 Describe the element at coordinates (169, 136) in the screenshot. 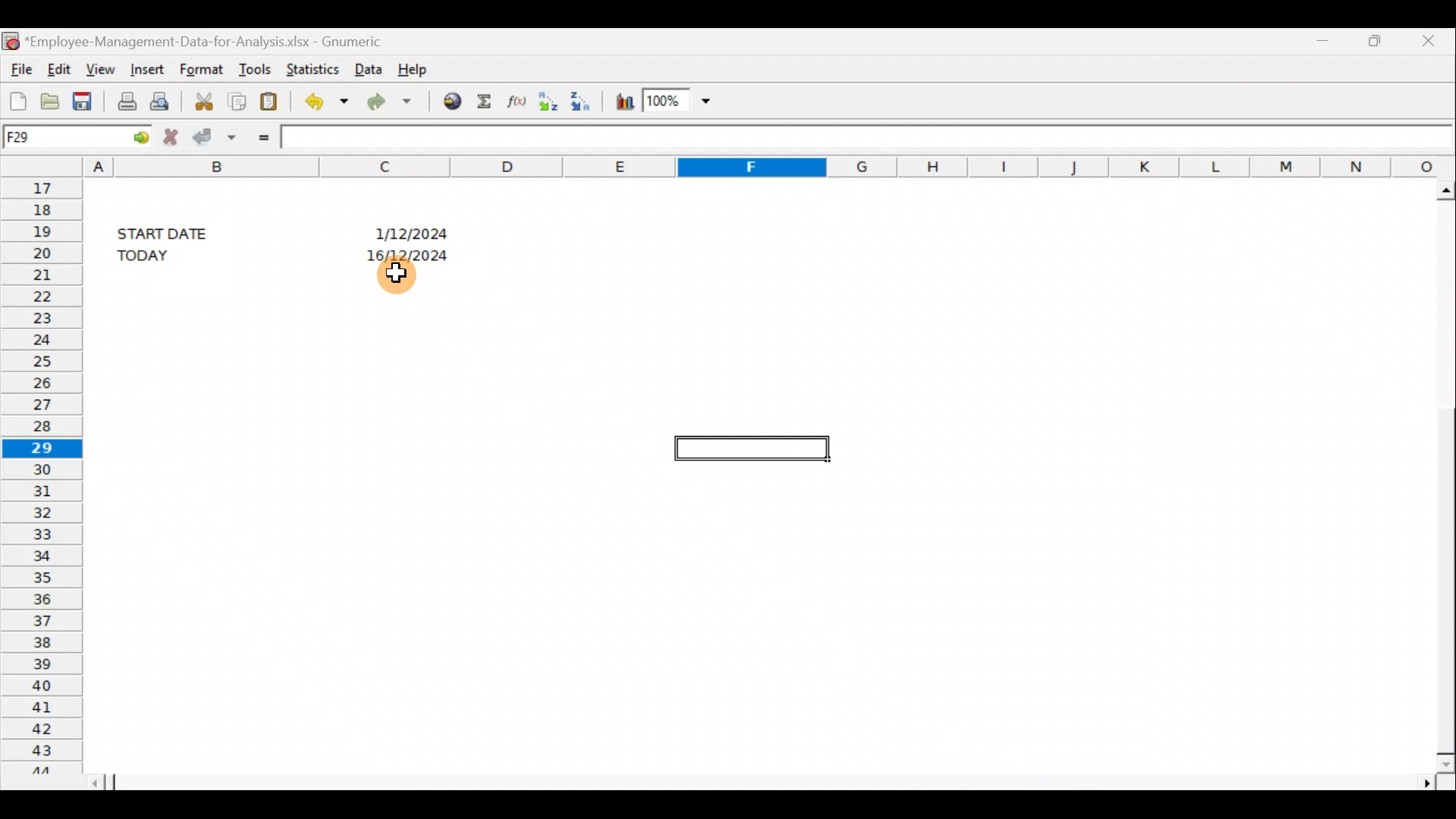

I see `Cancel change` at that location.